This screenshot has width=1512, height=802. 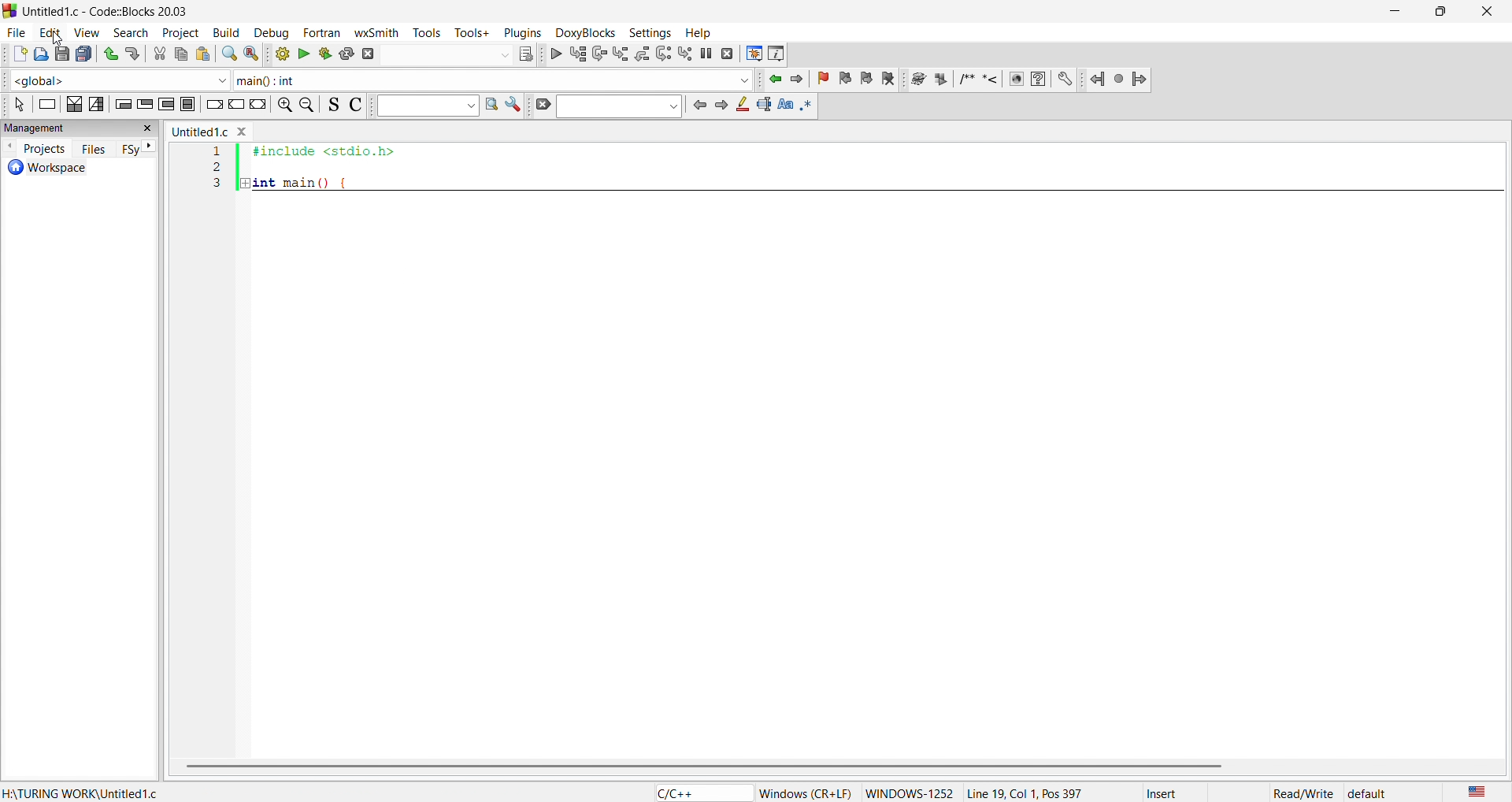 I want to click on file, so click(x=14, y=30).